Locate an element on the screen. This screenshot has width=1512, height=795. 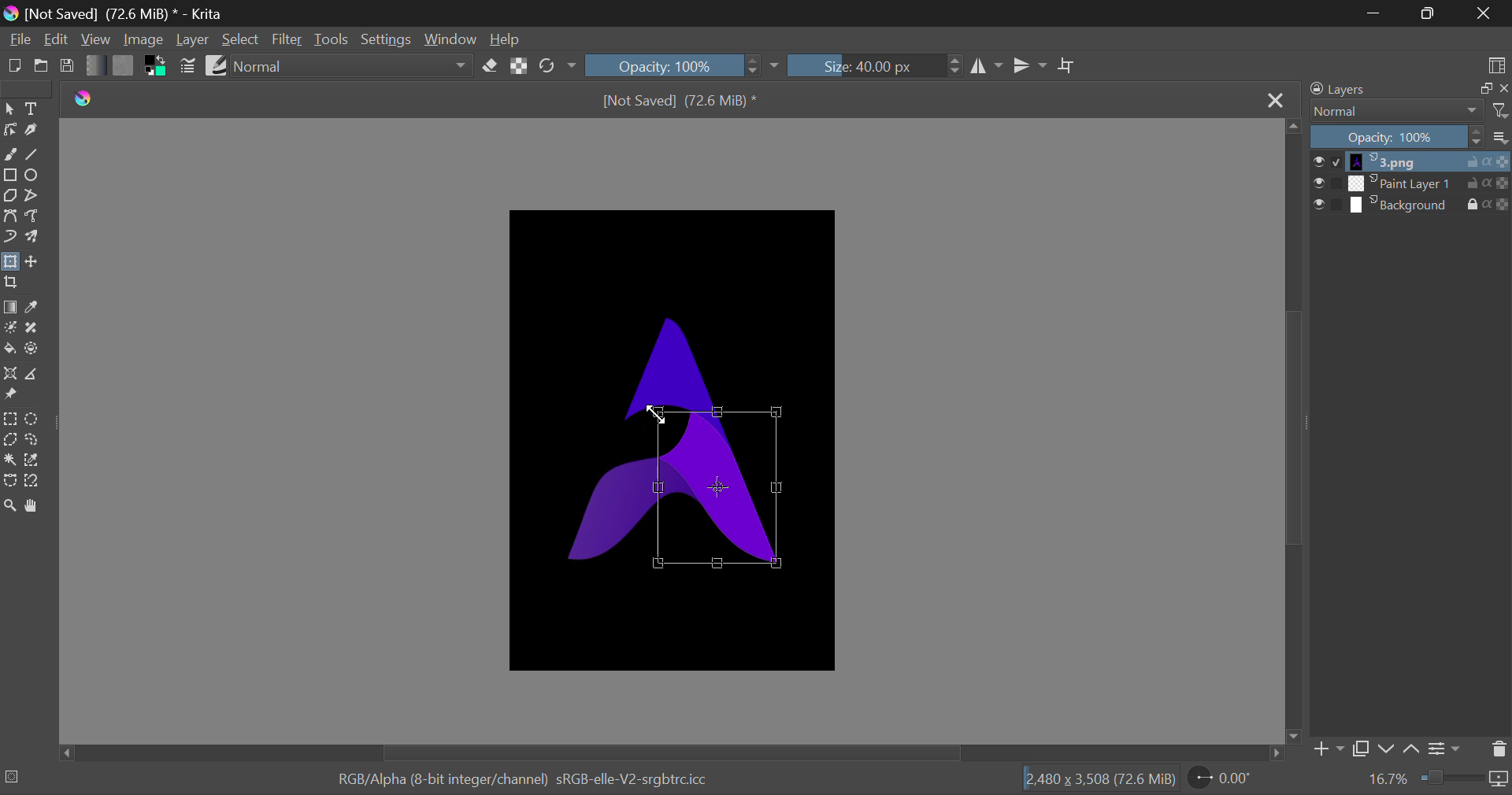
Multibrush Tool is located at coordinates (35, 239).